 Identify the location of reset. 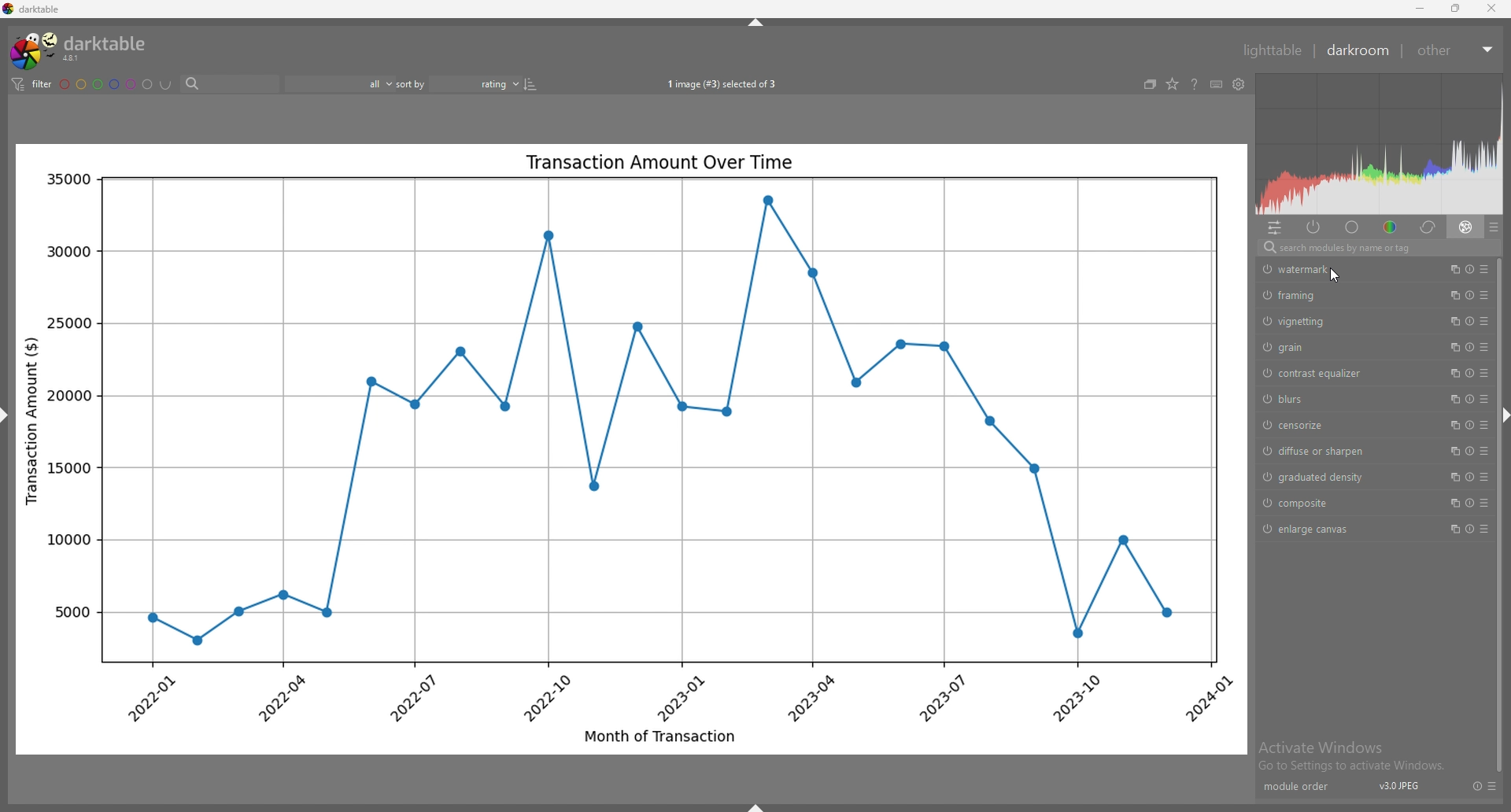
(1476, 786).